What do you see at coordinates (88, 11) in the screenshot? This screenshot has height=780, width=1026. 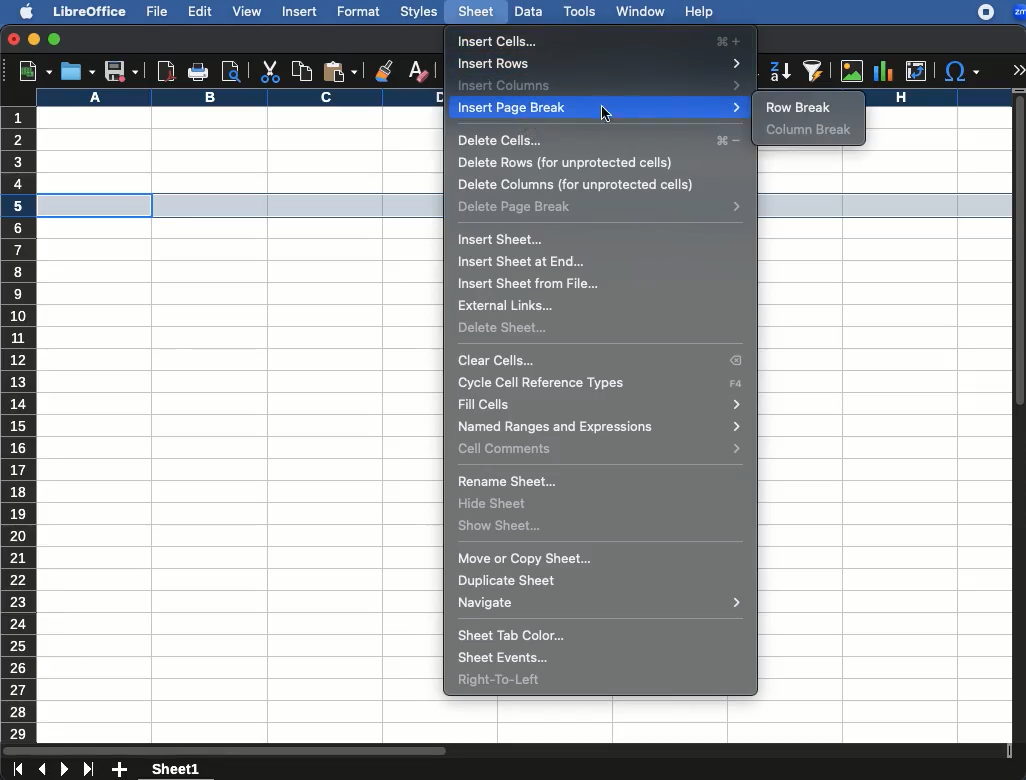 I see `libreoffice` at bounding box center [88, 11].